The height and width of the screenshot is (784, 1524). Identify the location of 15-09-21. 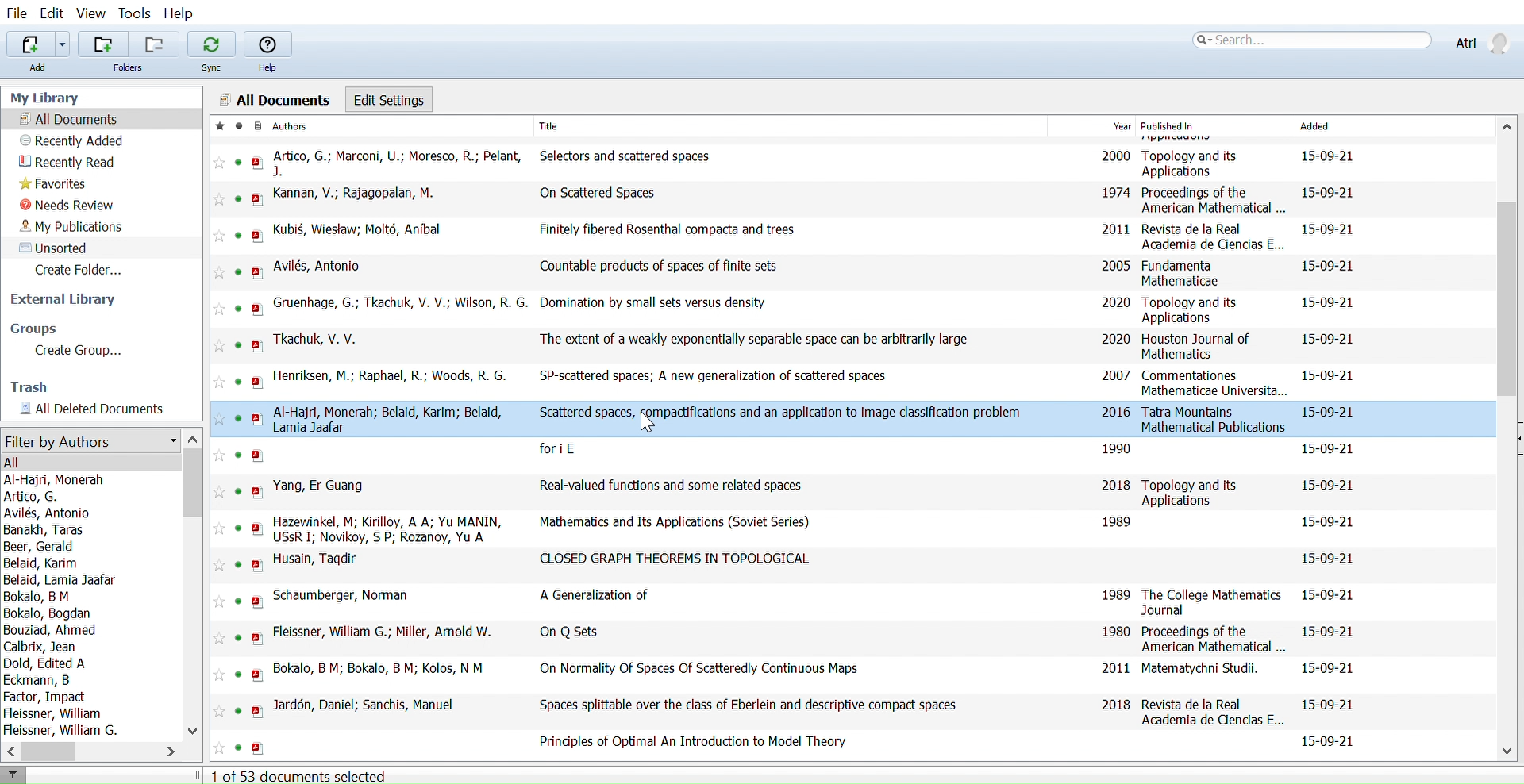
(1331, 263).